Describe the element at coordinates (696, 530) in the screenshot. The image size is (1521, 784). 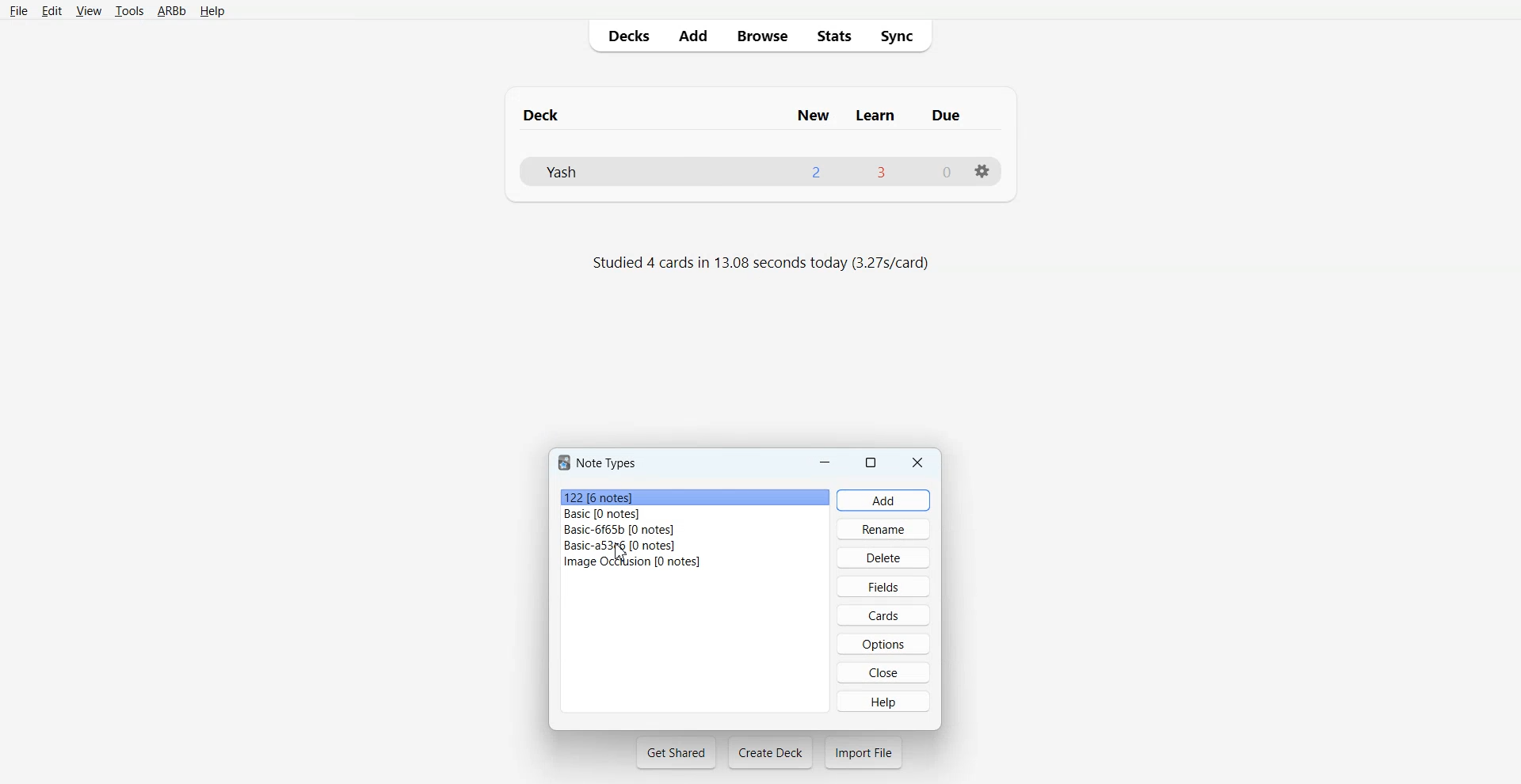
I see `Basic-6f65b[0 notes]` at that location.